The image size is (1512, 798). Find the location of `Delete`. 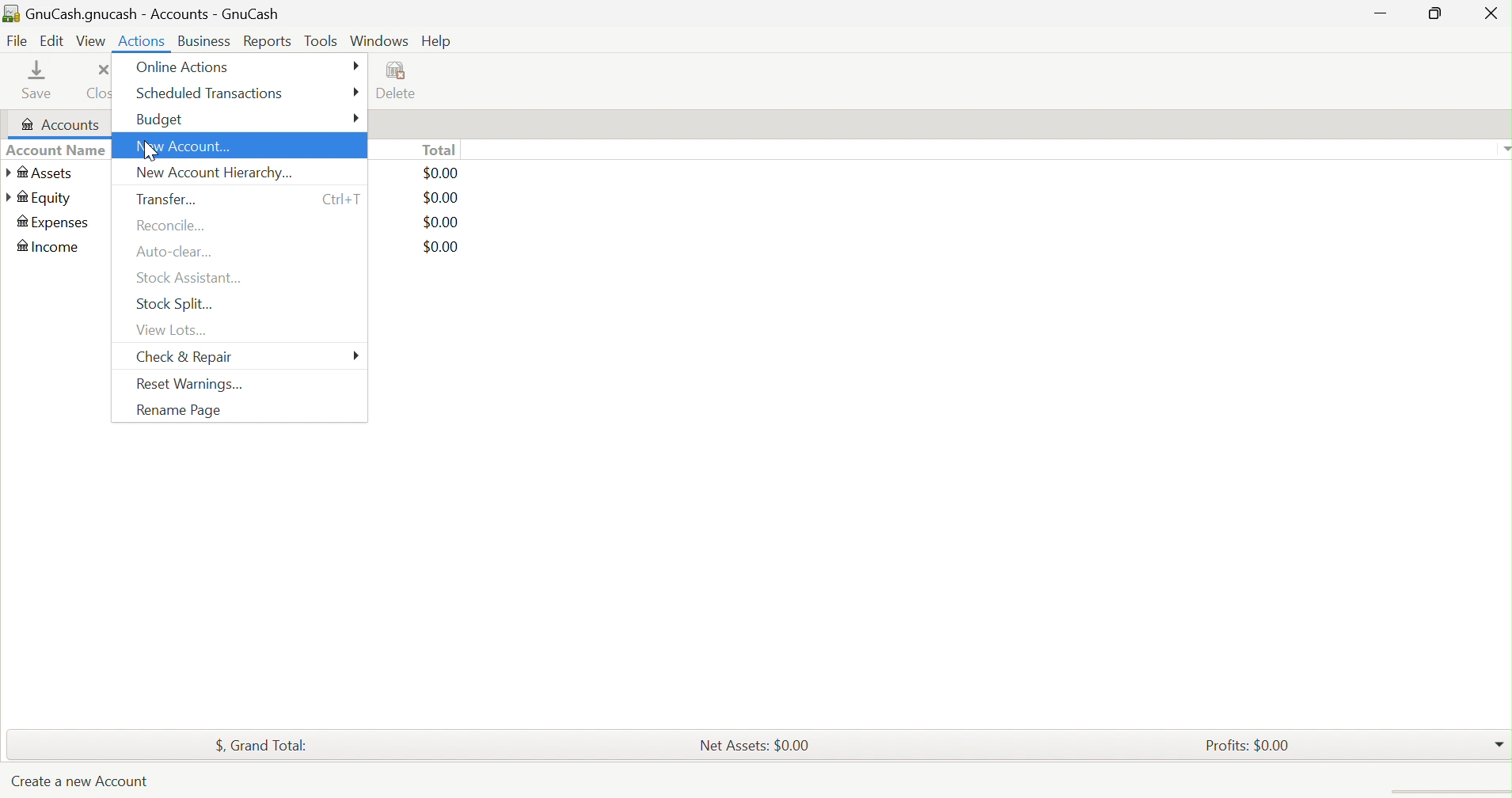

Delete is located at coordinates (401, 82).